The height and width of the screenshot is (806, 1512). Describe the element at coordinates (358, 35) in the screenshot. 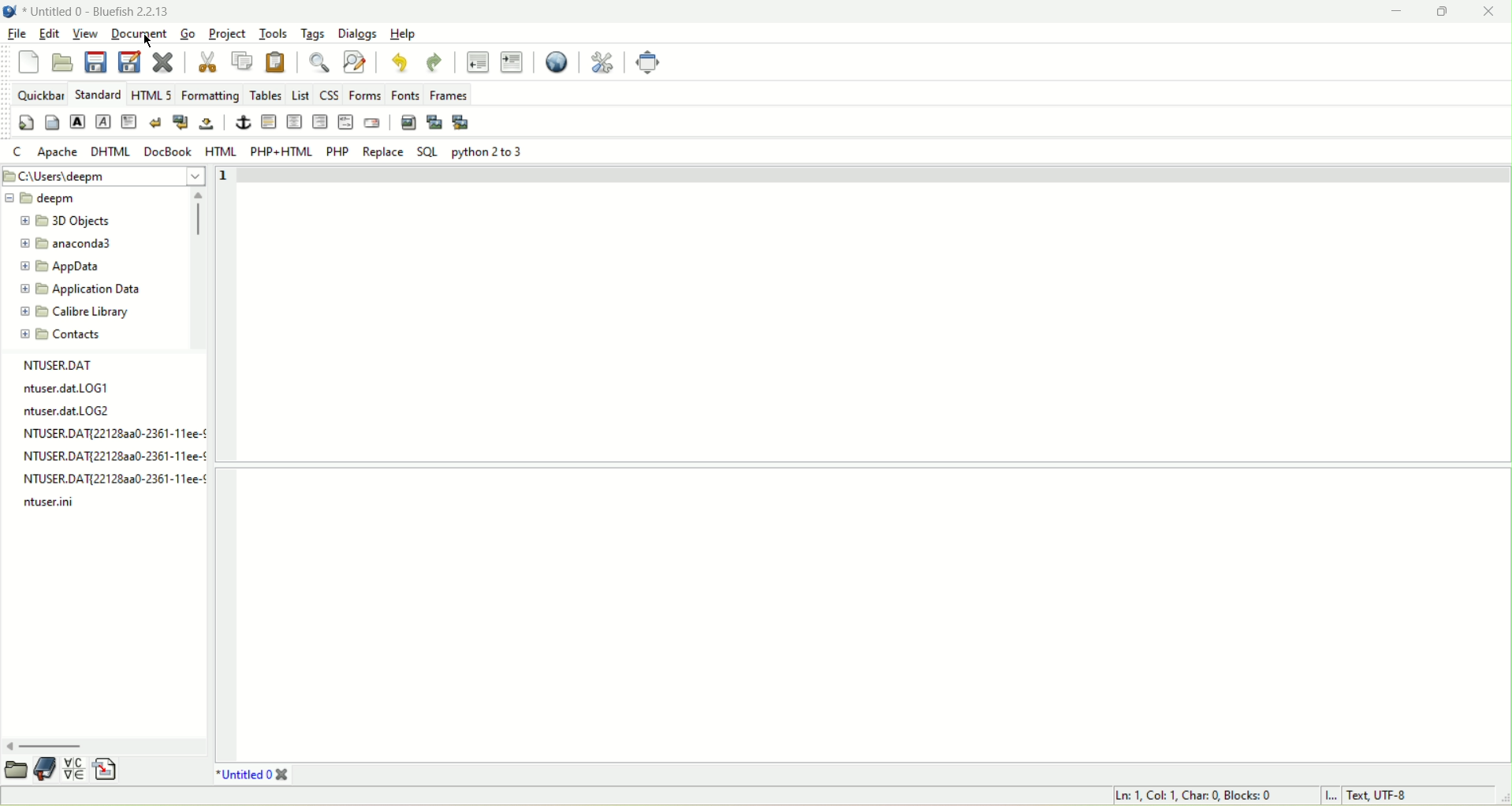

I see `dialogs` at that location.